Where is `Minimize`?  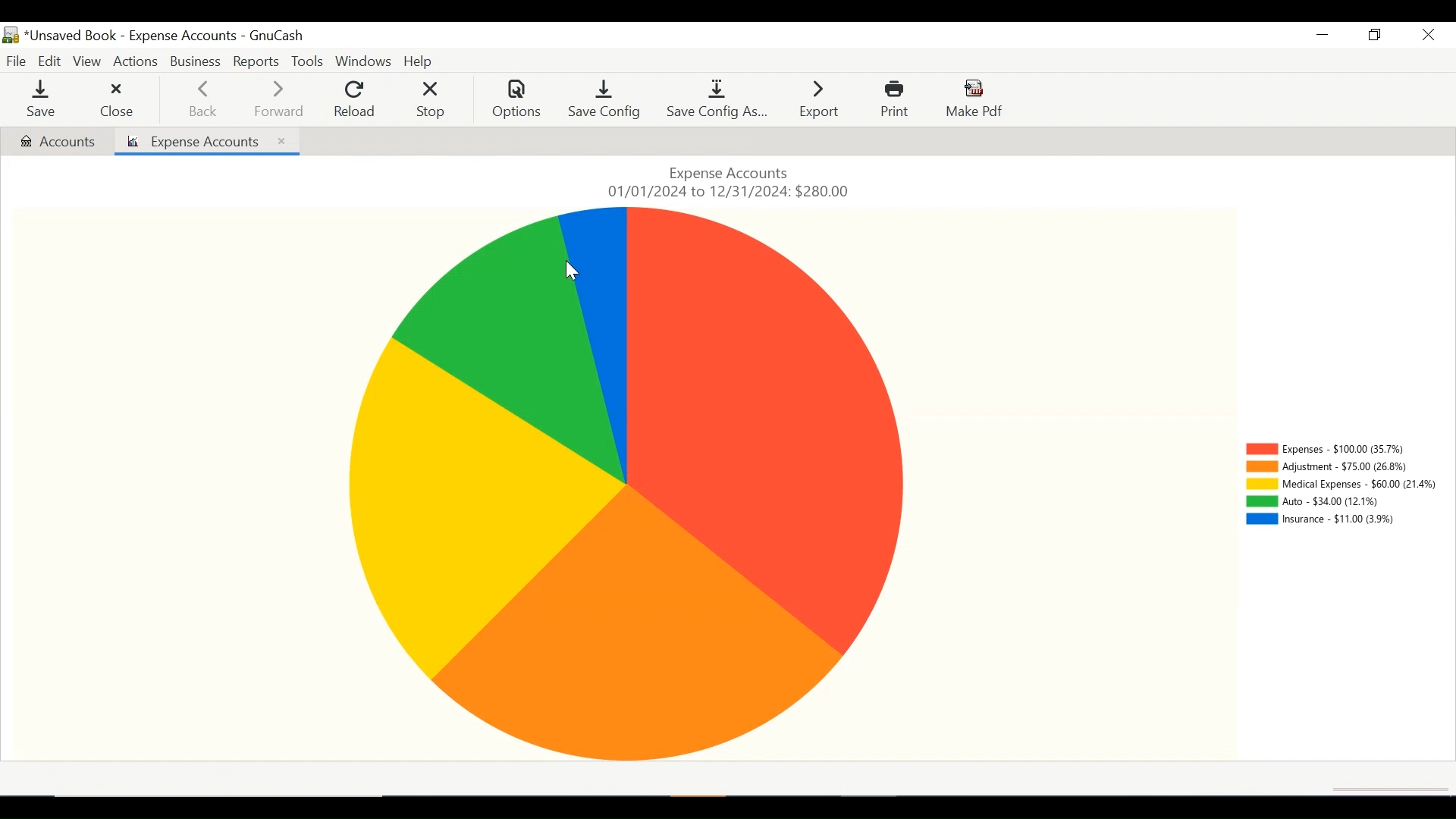 Minimize is located at coordinates (1323, 36).